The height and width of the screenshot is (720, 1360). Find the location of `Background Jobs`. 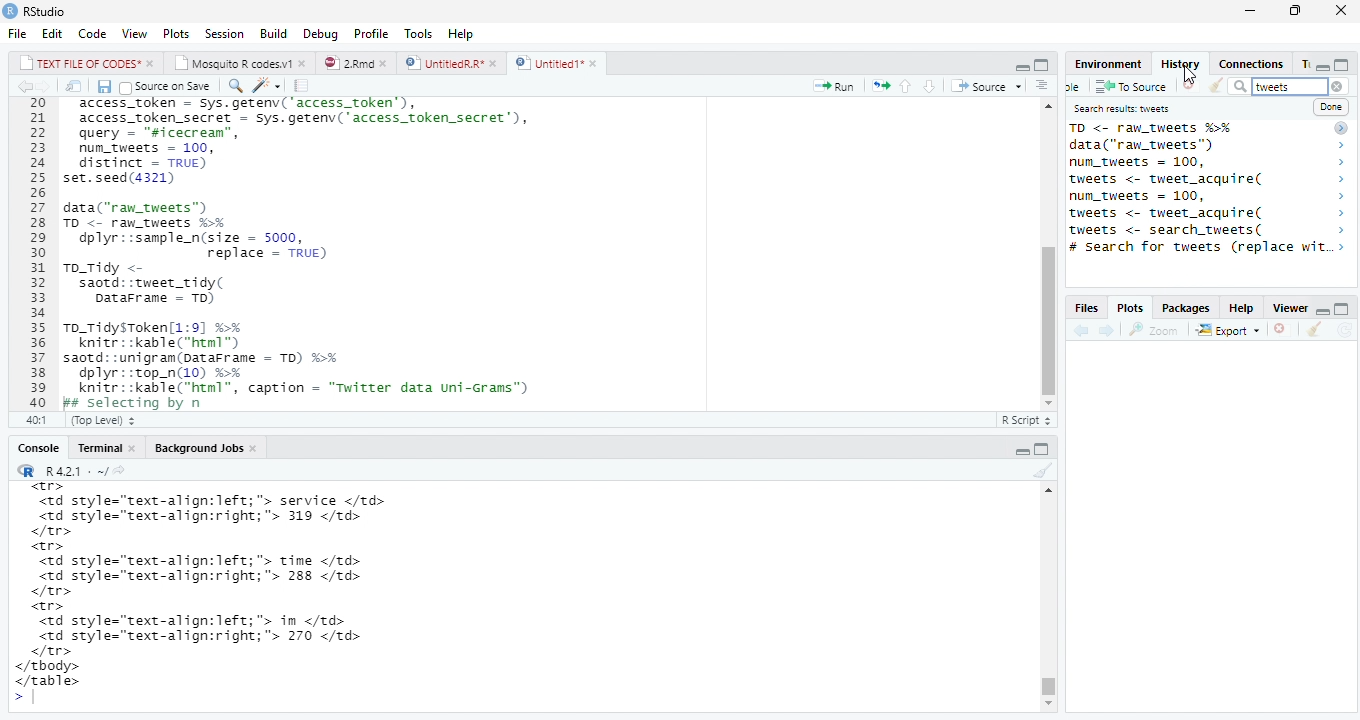

Background Jobs is located at coordinates (208, 447).